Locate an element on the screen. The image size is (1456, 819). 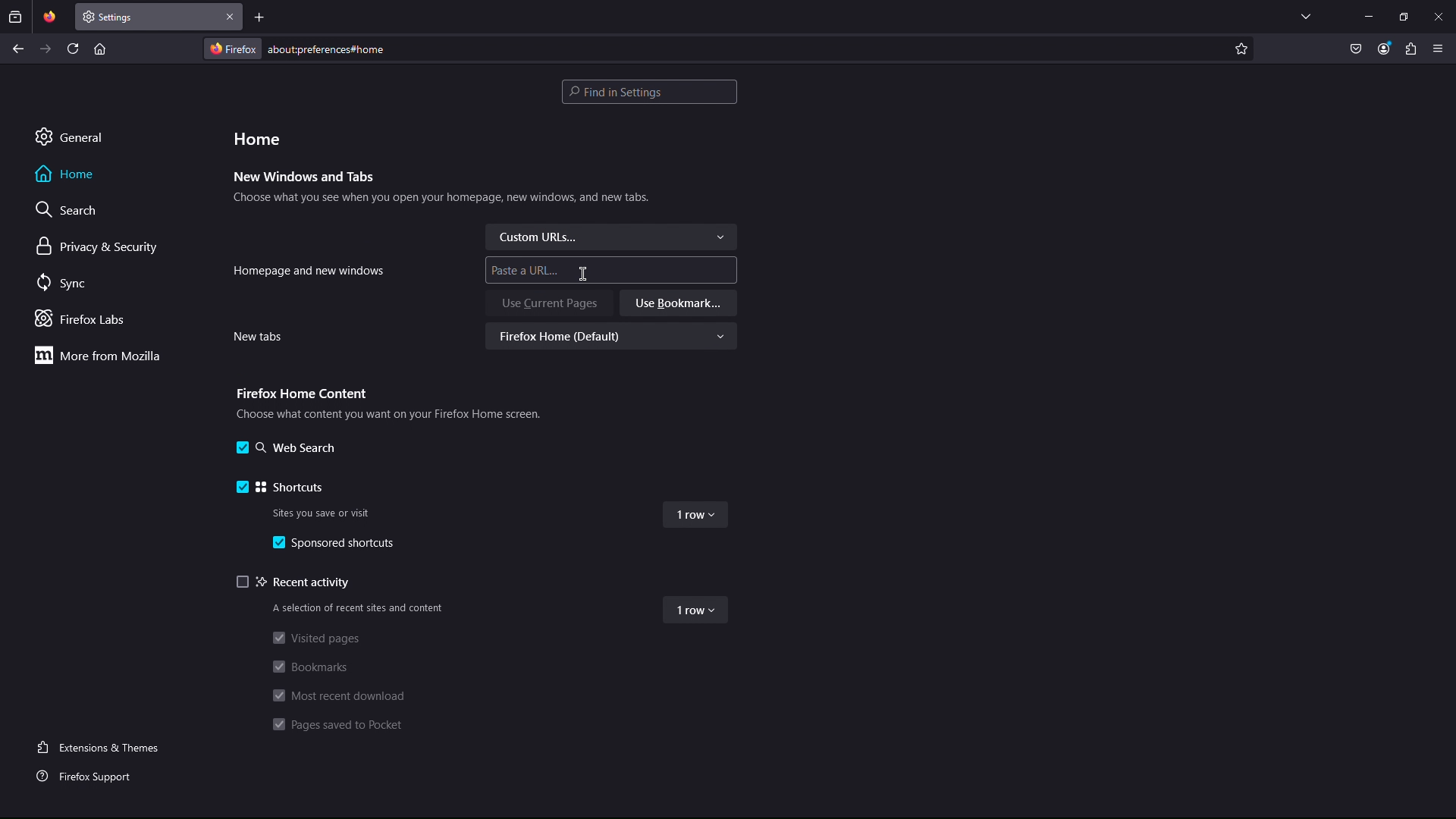
Plugin is located at coordinates (1411, 50).